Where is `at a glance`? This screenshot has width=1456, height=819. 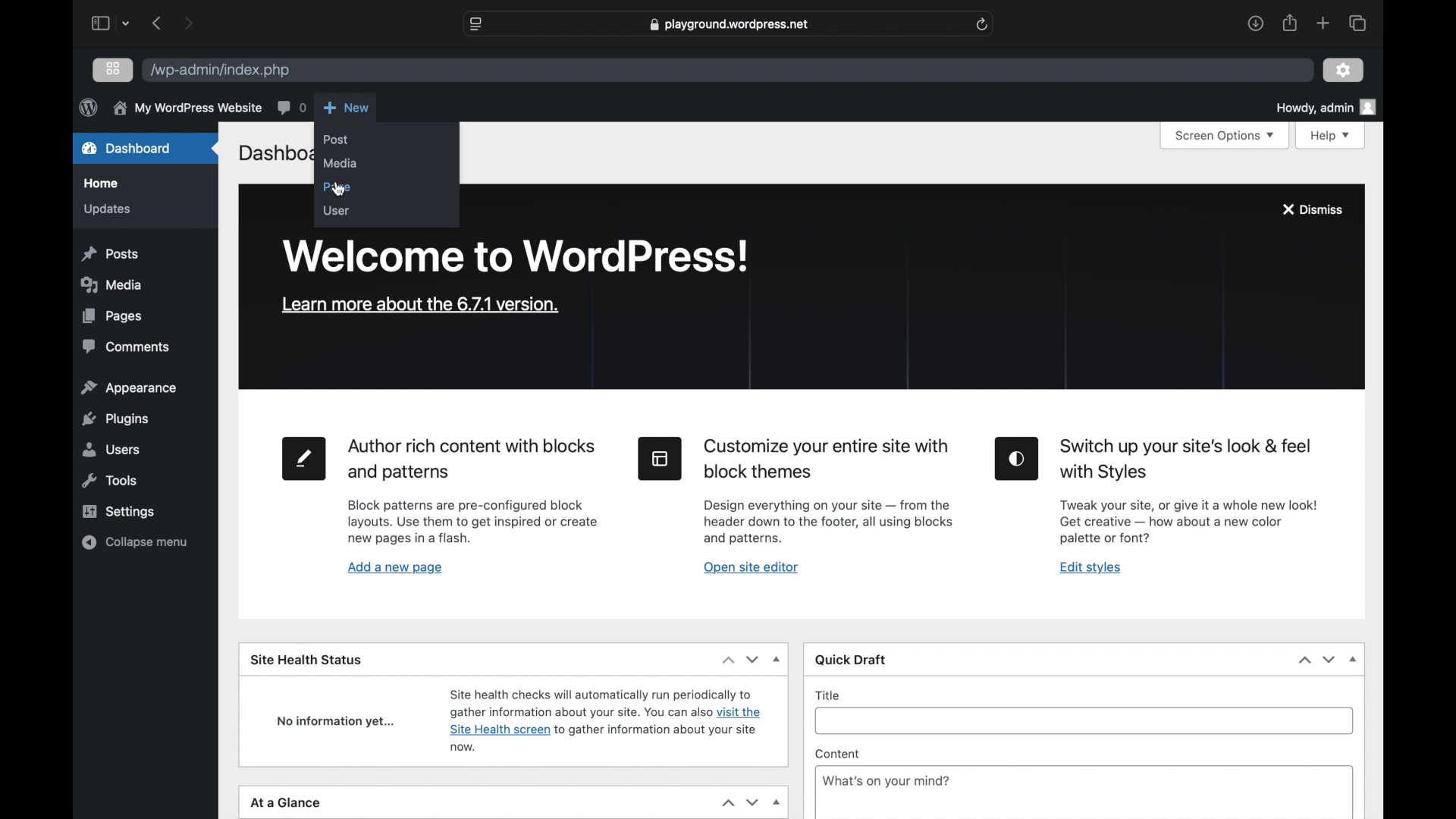 at a glance is located at coordinates (288, 802).